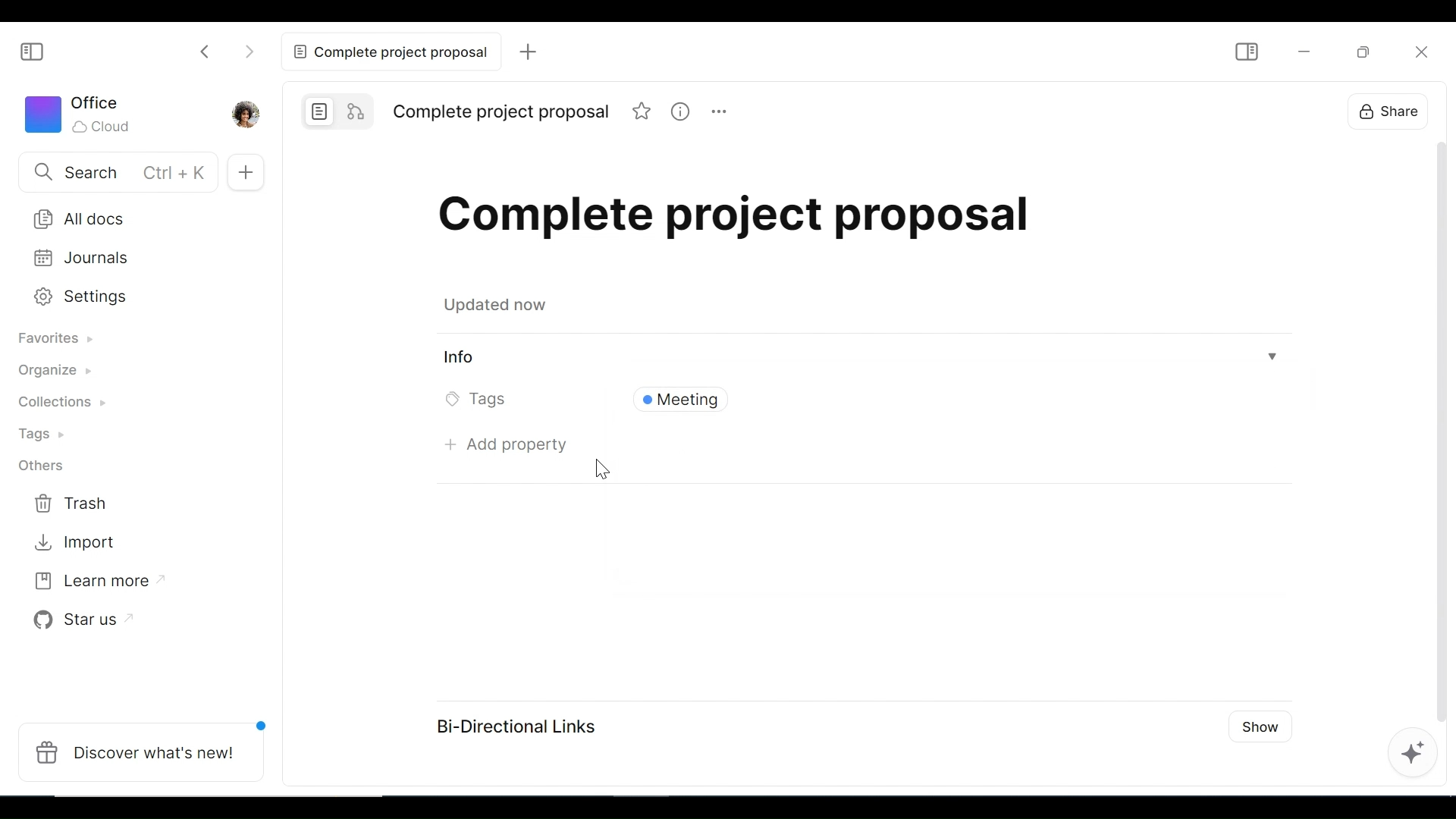  I want to click on Discover what's new, so click(143, 752).